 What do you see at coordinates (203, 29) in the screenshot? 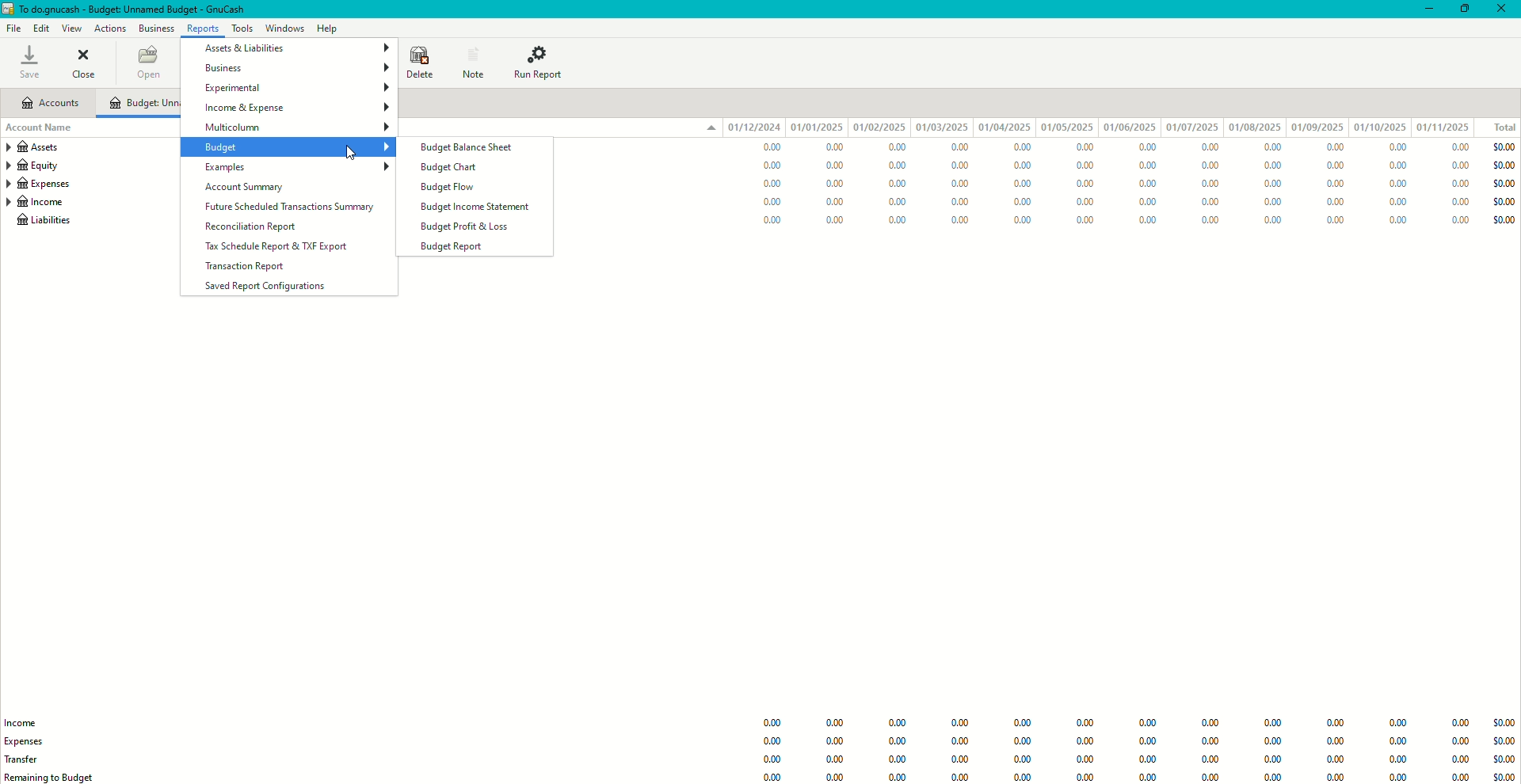
I see `Reports` at bounding box center [203, 29].